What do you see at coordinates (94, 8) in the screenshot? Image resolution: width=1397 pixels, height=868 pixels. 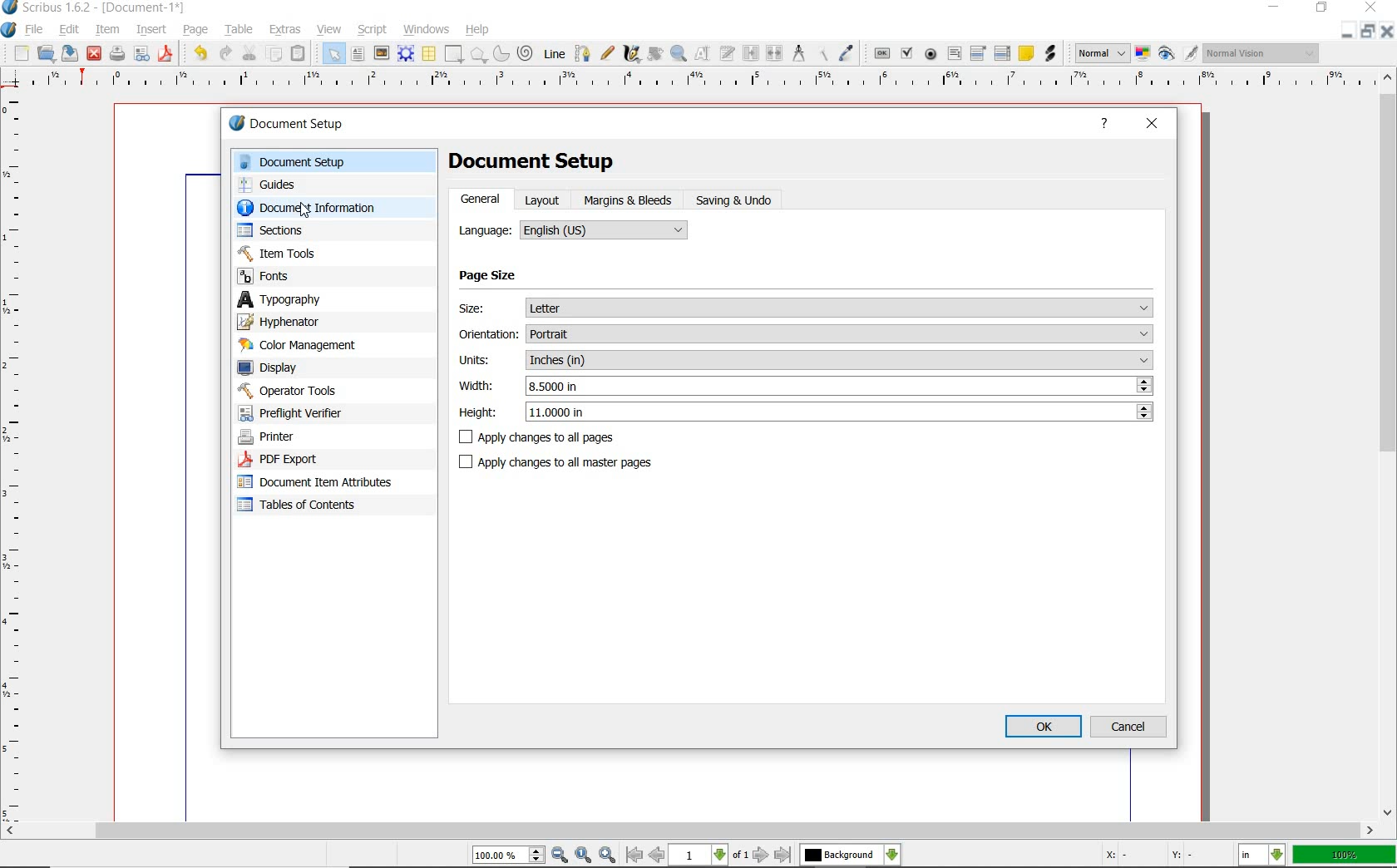 I see `system name` at bounding box center [94, 8].